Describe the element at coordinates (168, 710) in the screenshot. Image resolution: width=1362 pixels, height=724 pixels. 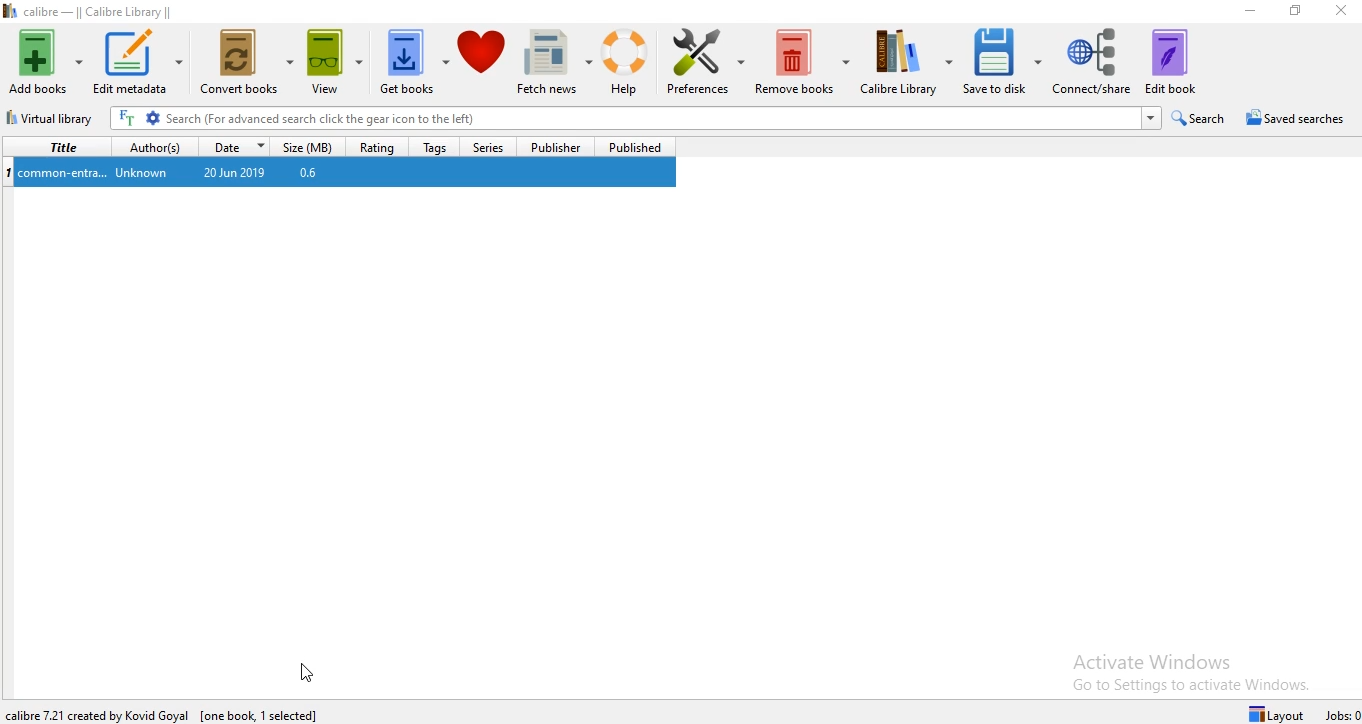
I see `calibre 7.2.1  created by David Goyal [0]` at that location.